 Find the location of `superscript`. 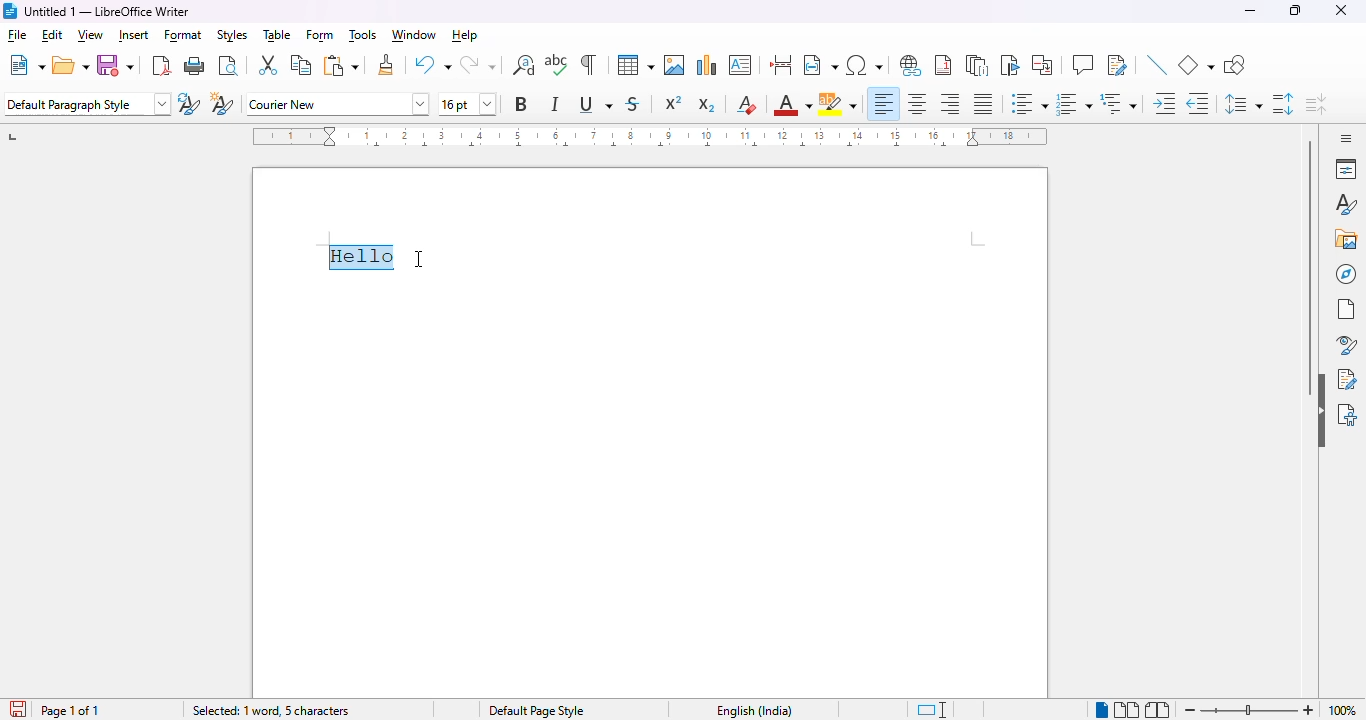

superscript is located at coordinates (674, 103).